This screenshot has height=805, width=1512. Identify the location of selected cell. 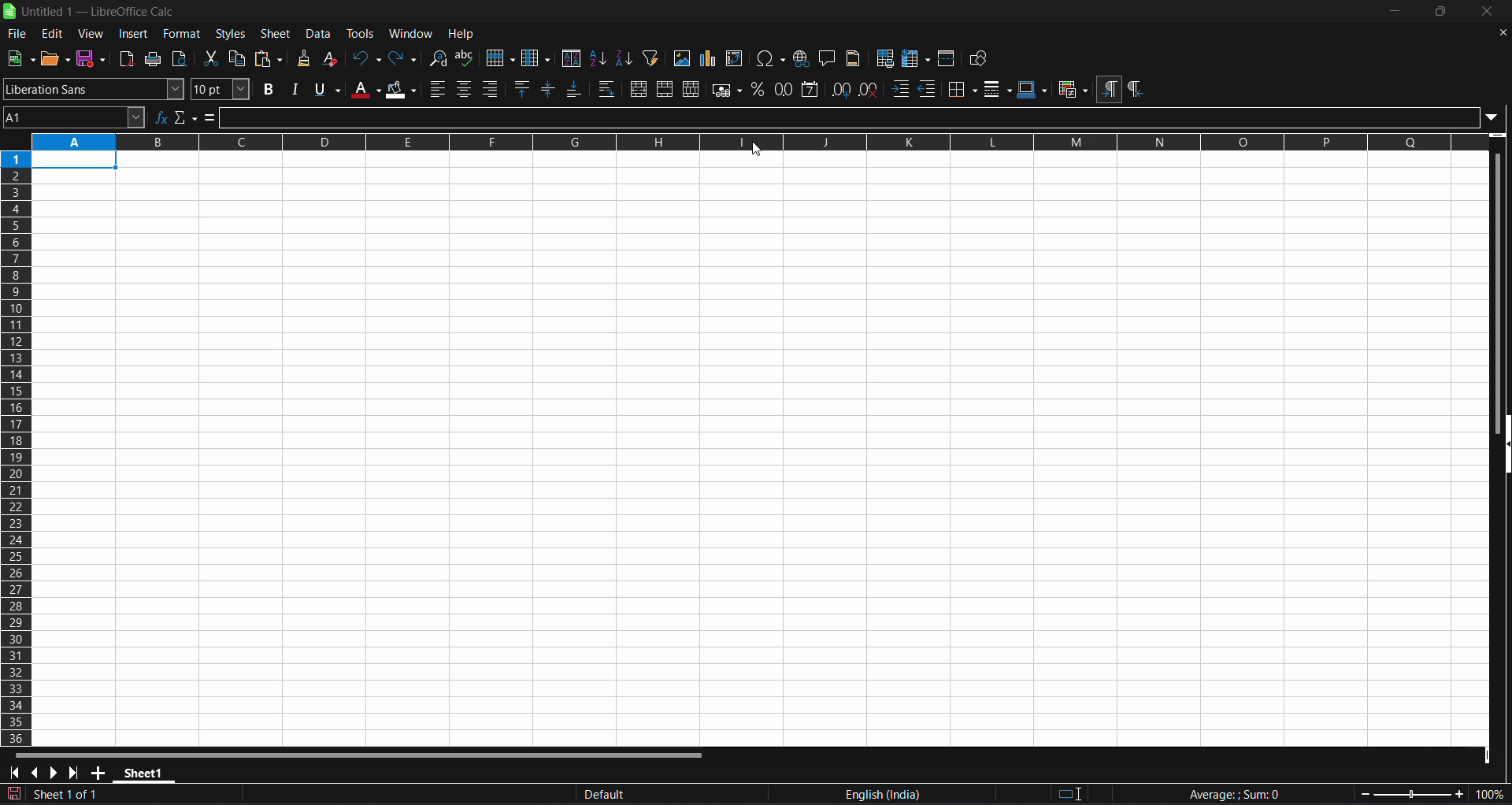
(80, 161).